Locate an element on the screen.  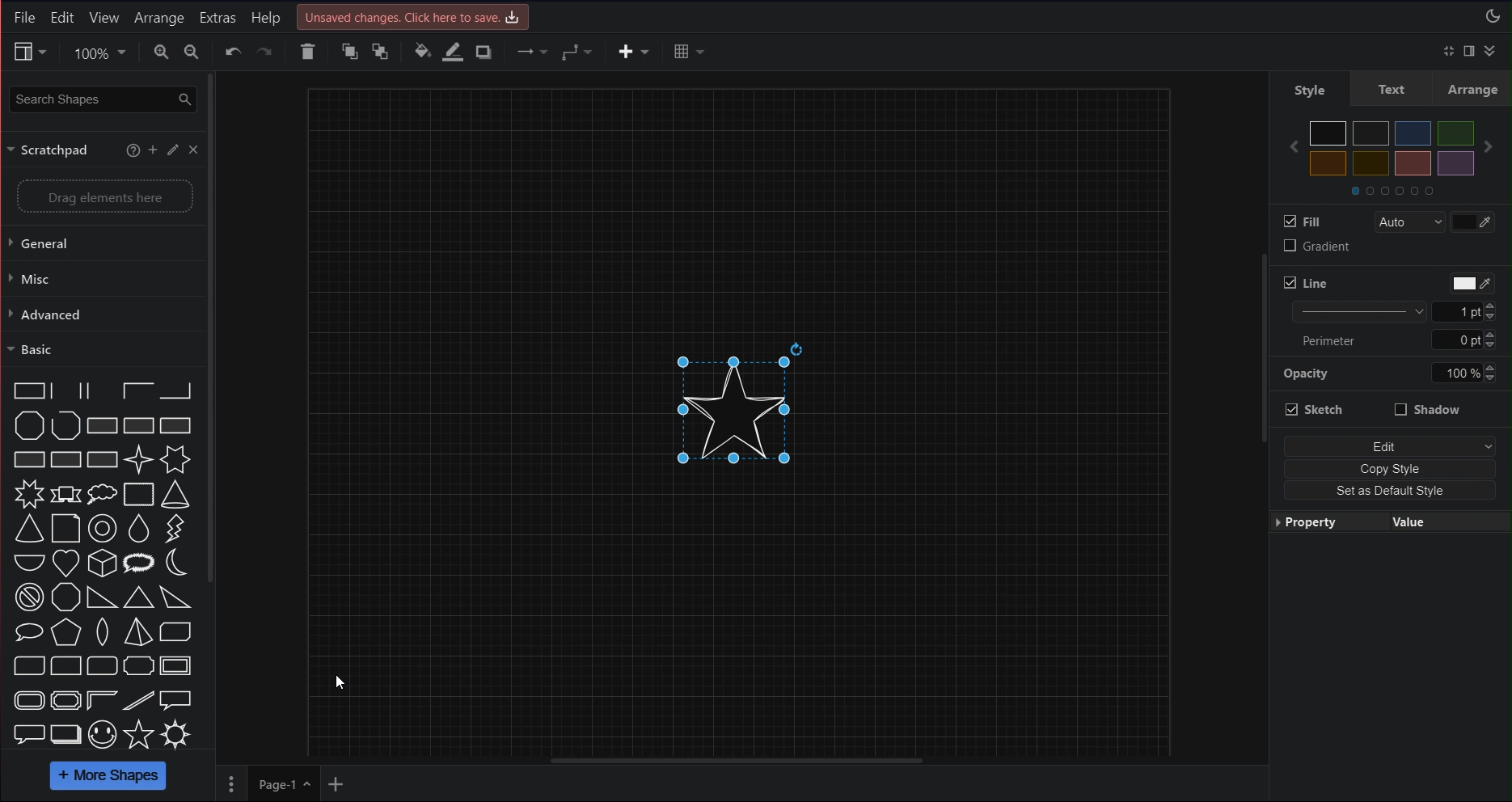
rectangle with reverse diagonal fill is located at coordinates (139, 425).